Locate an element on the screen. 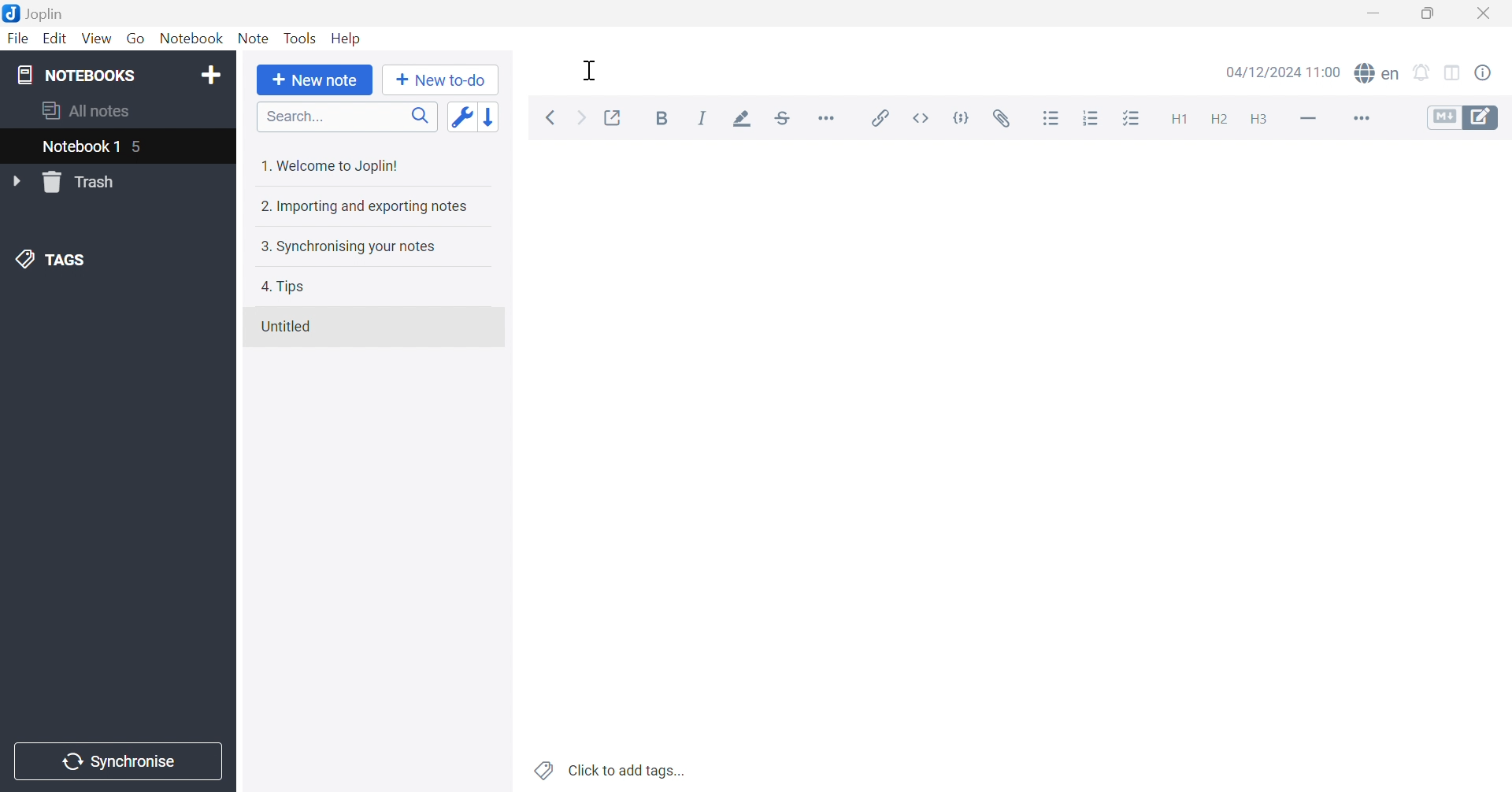 The height and width of the screenshot is (792, 1512). Toggle editors layout is located at coordinates (1452, 71).